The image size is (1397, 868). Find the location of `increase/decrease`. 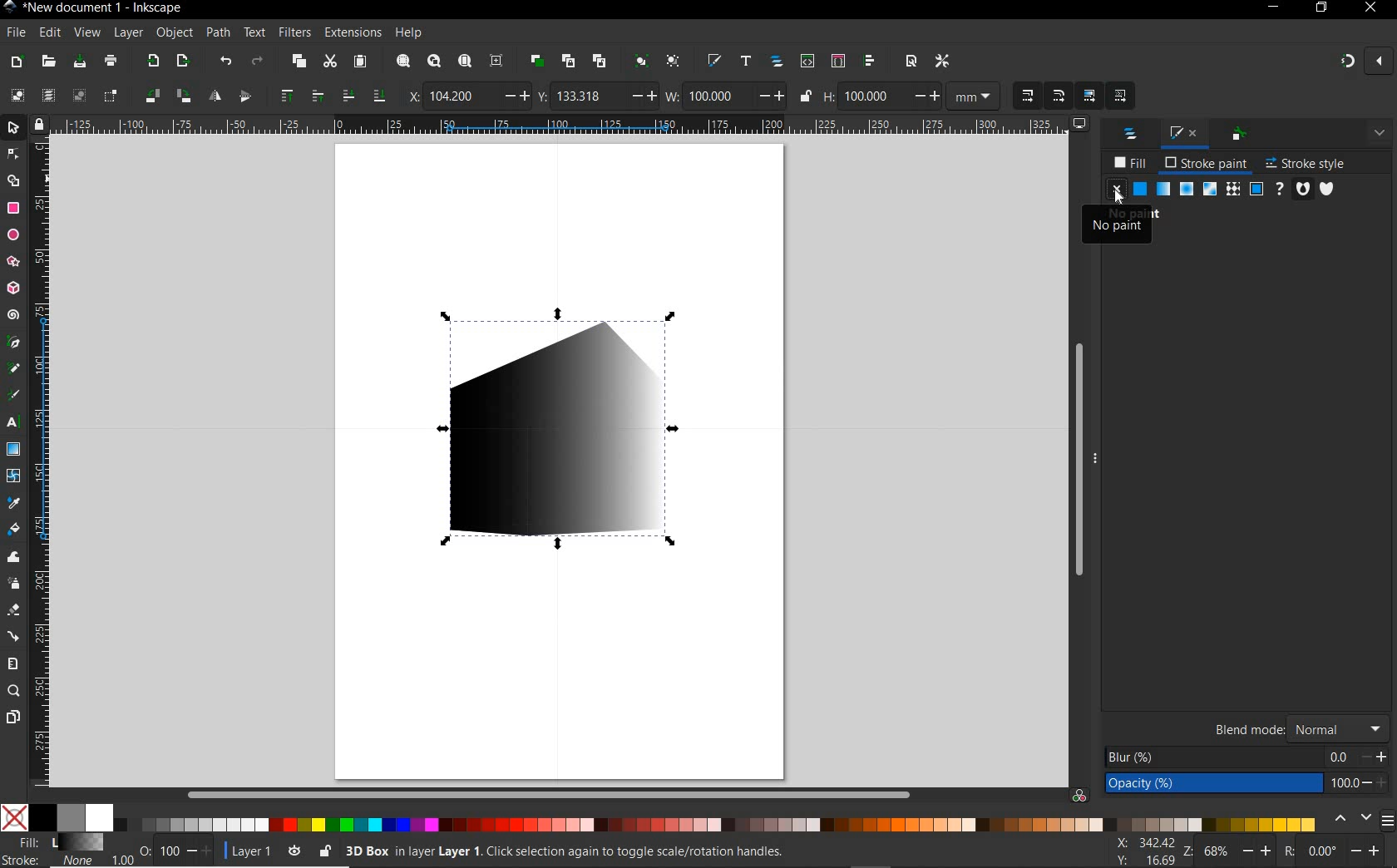

increase/decrease is located at coordinates (1375, 757).